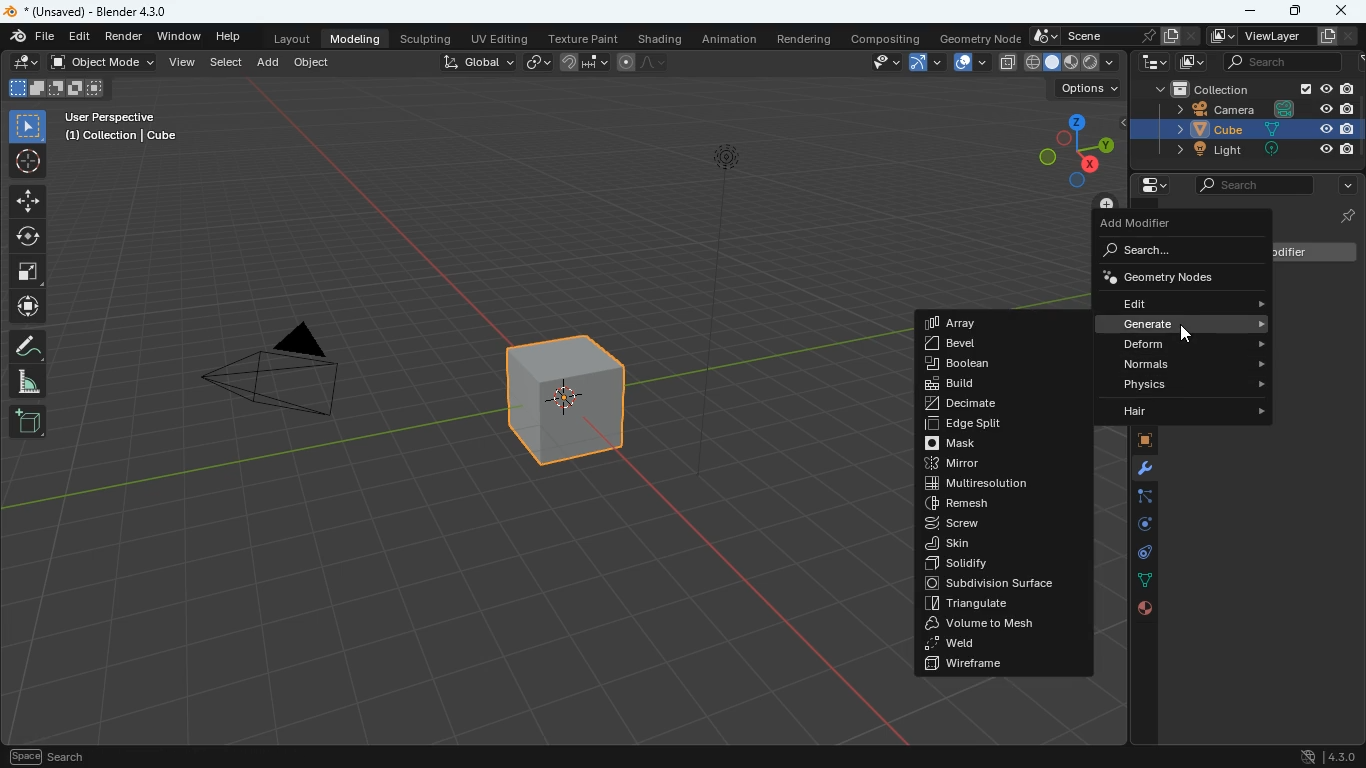 This screenshot has height=768, width=1366. What do you see at coordinates (1190, 63) in the screenshot?
I see `image` at bounding box center [1190, 63].